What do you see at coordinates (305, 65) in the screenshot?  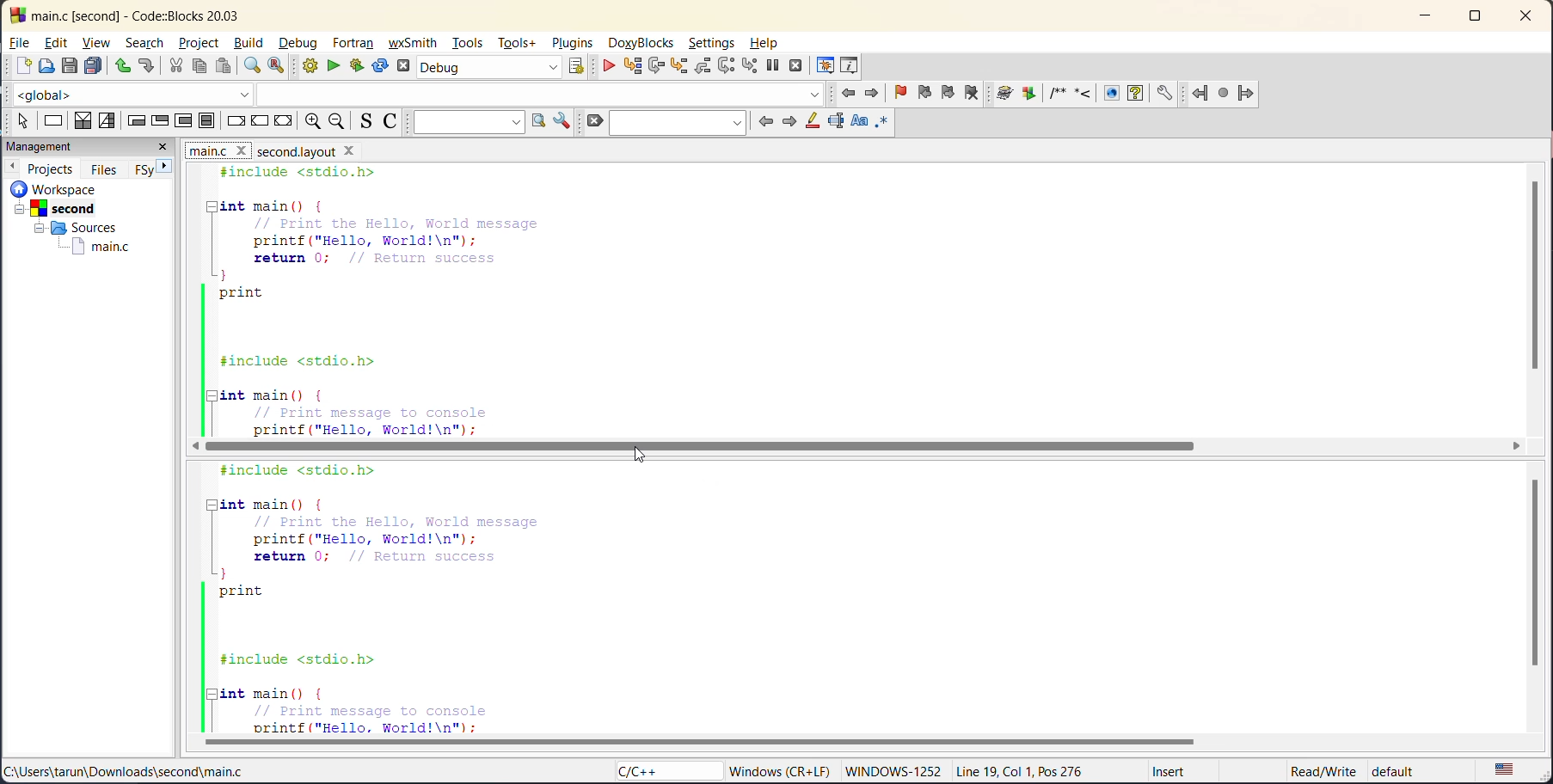 I see `build` at bounding box center [305, 65].